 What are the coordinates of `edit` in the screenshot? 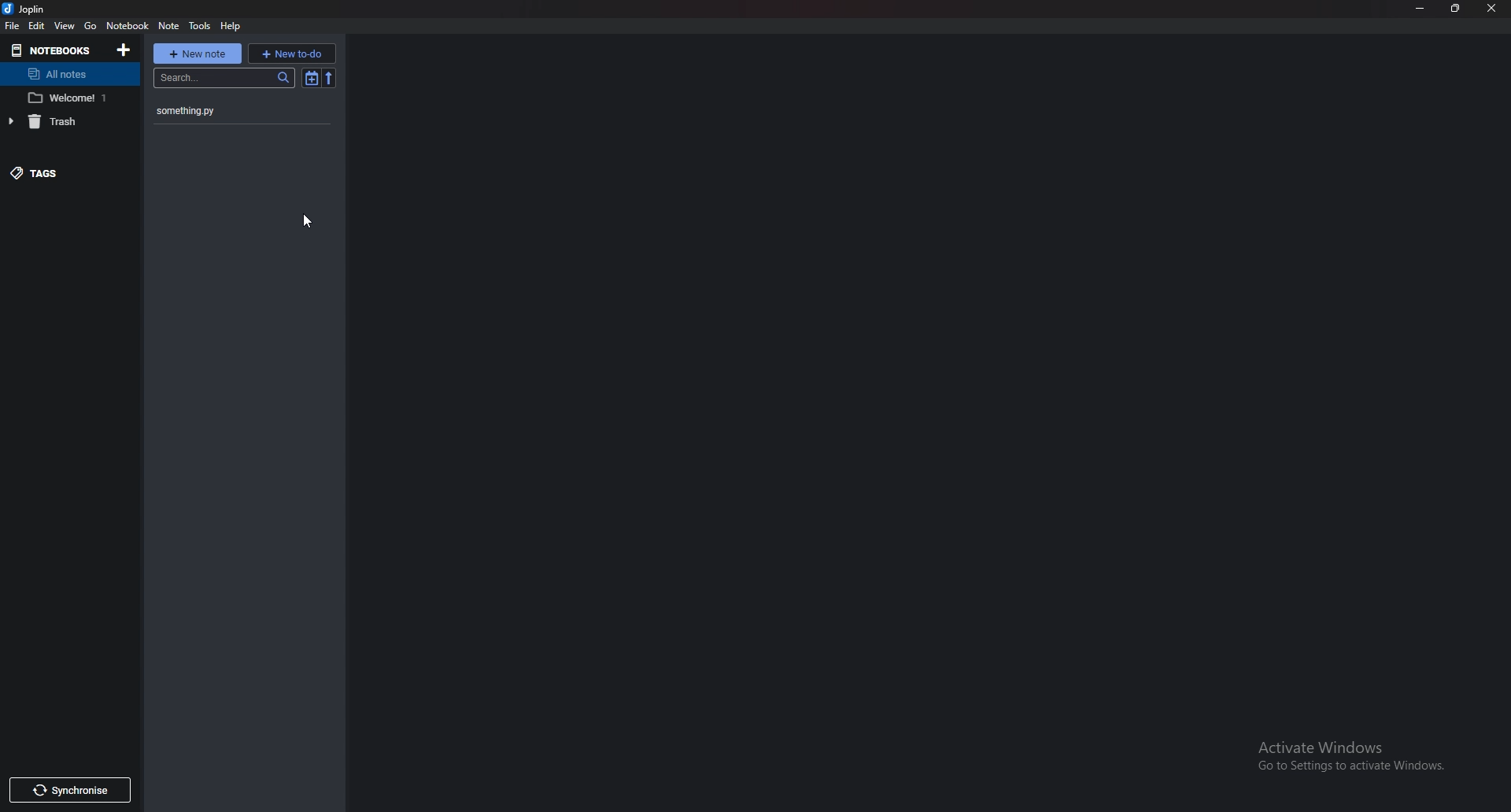 It's located at (36, 27).